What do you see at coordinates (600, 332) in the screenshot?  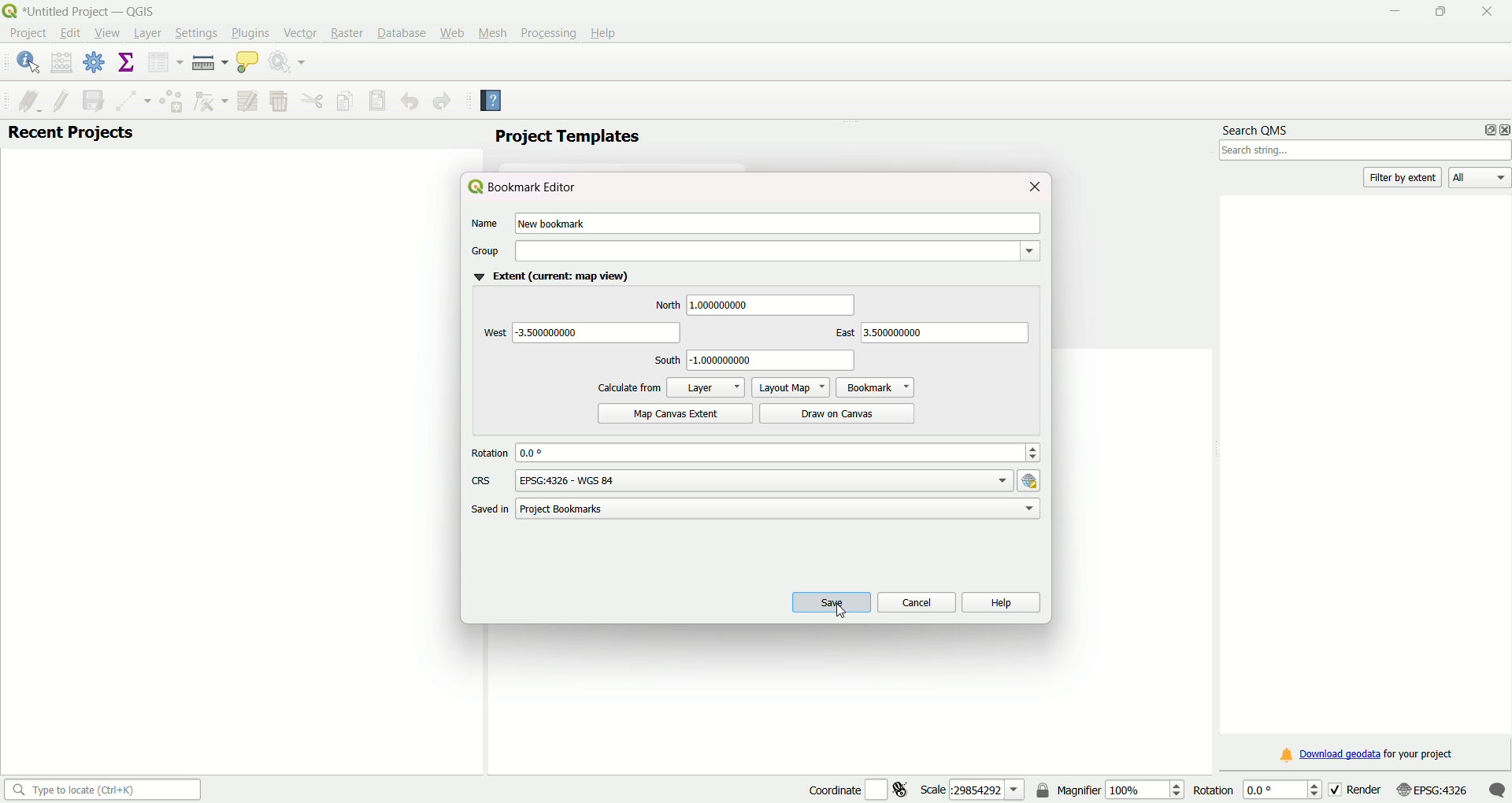 I see `text box` at bounding box center [600, 332].